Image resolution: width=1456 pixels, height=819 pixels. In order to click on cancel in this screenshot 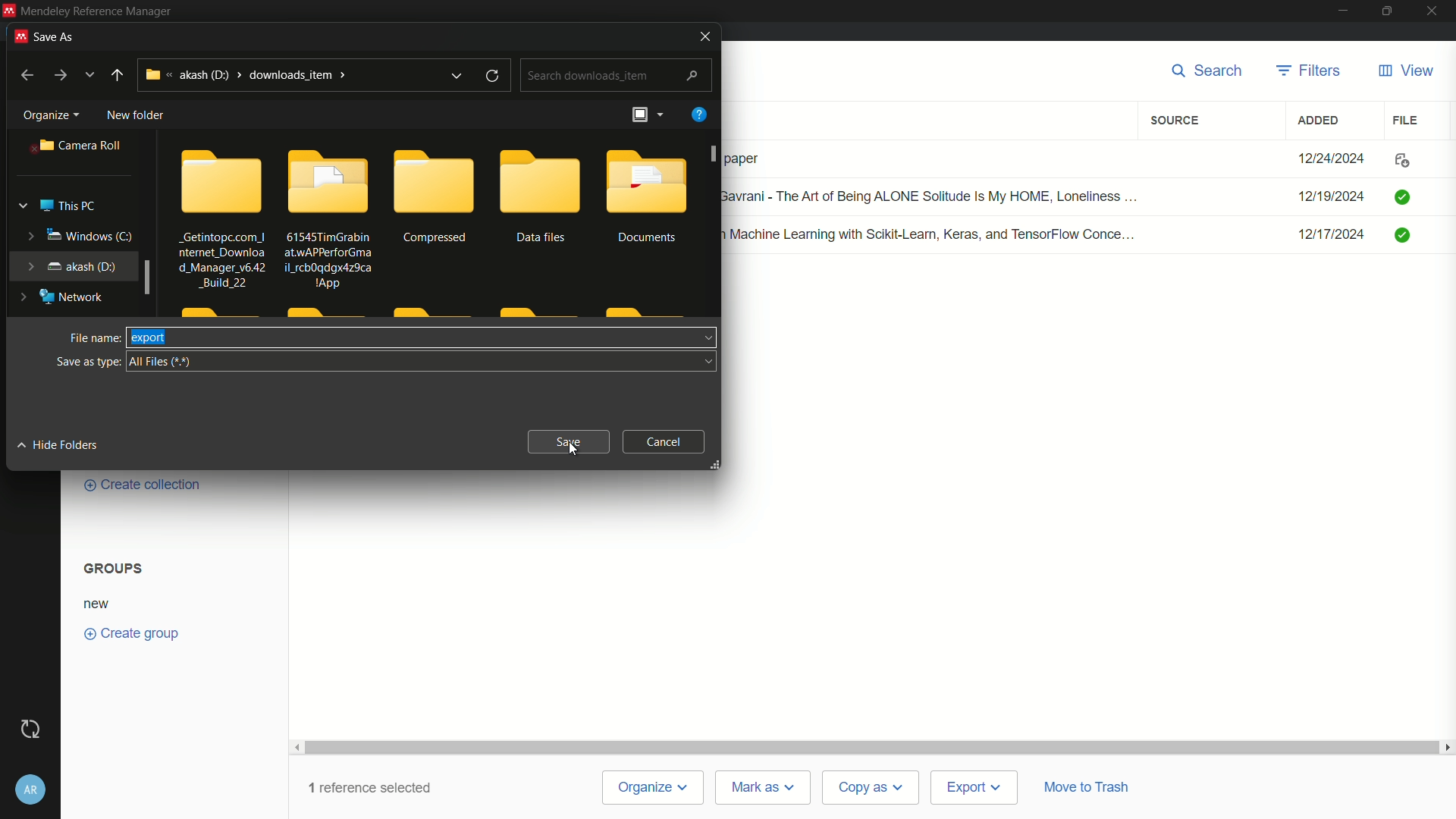, I will do `click(665, 441)`.